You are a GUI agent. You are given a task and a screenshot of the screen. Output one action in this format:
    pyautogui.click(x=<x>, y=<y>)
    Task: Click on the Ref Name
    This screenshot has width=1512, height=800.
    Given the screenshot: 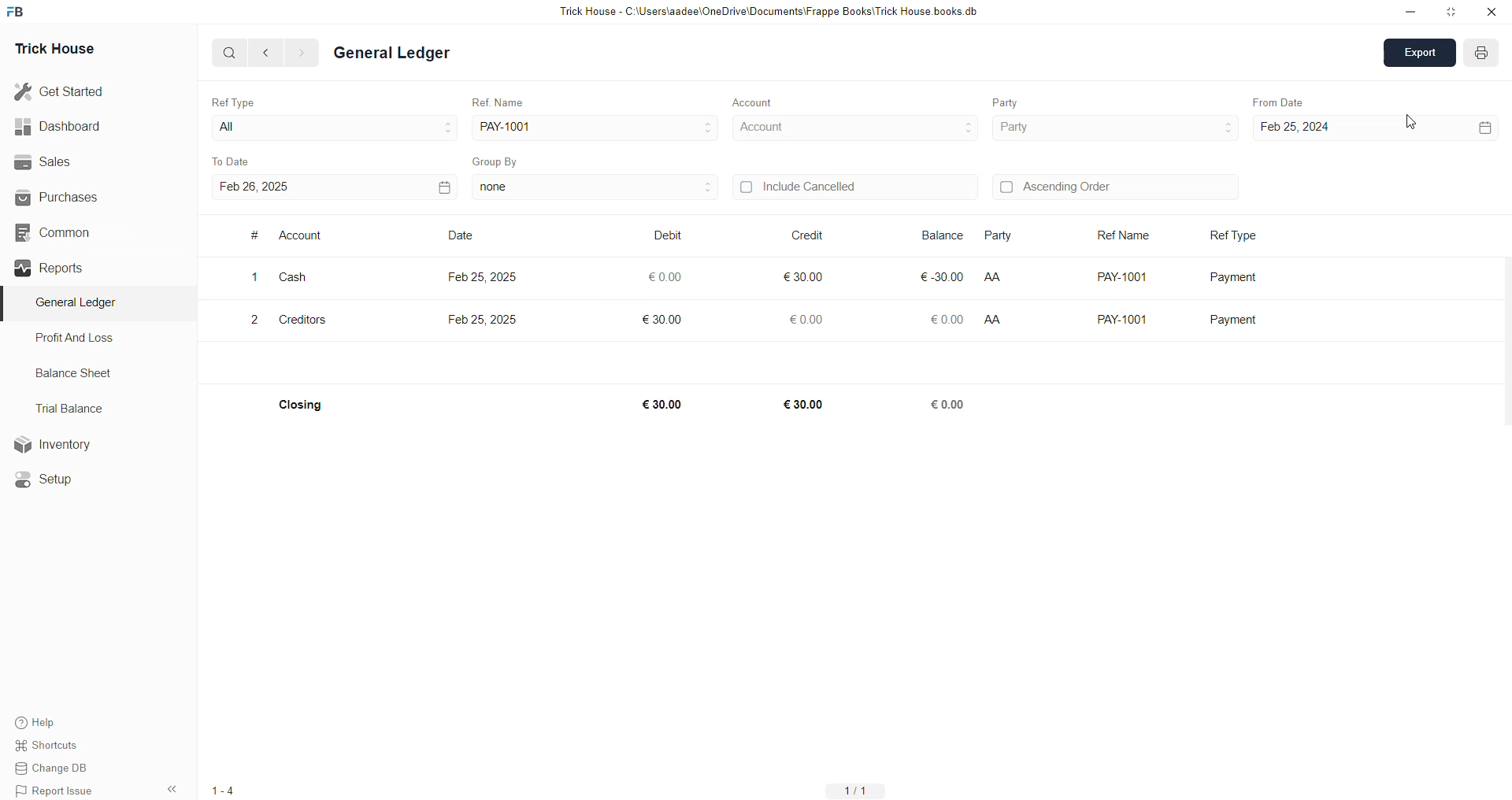 What is the action you would take?
    pyautogui.click(x=492, y=100)
    